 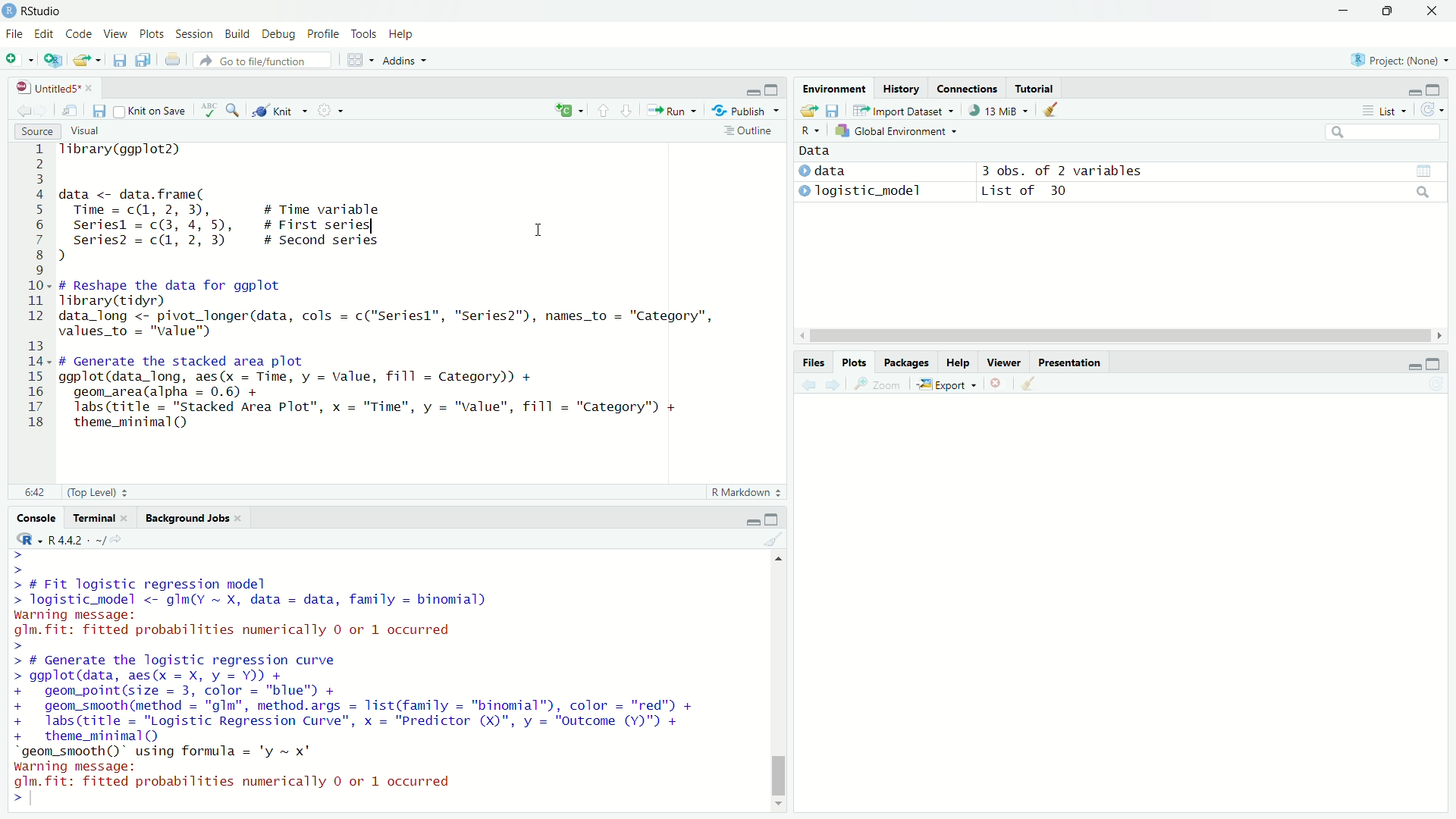 What do you see at coordinates (1423, 195) in the screenshot?
I see `search` at bounding box center [1423, 195].